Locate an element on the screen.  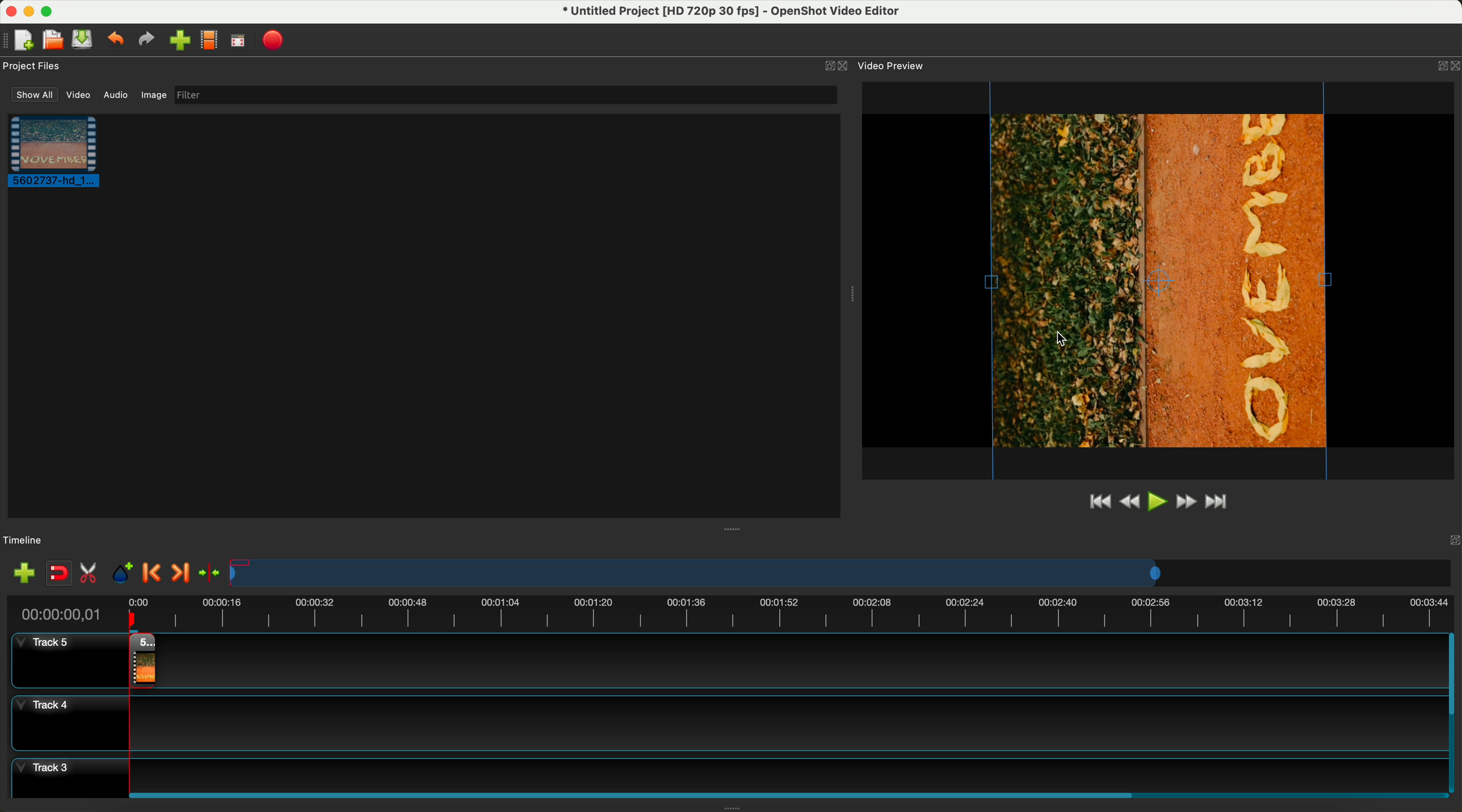
choose profile is located at coordinates (208, 40).